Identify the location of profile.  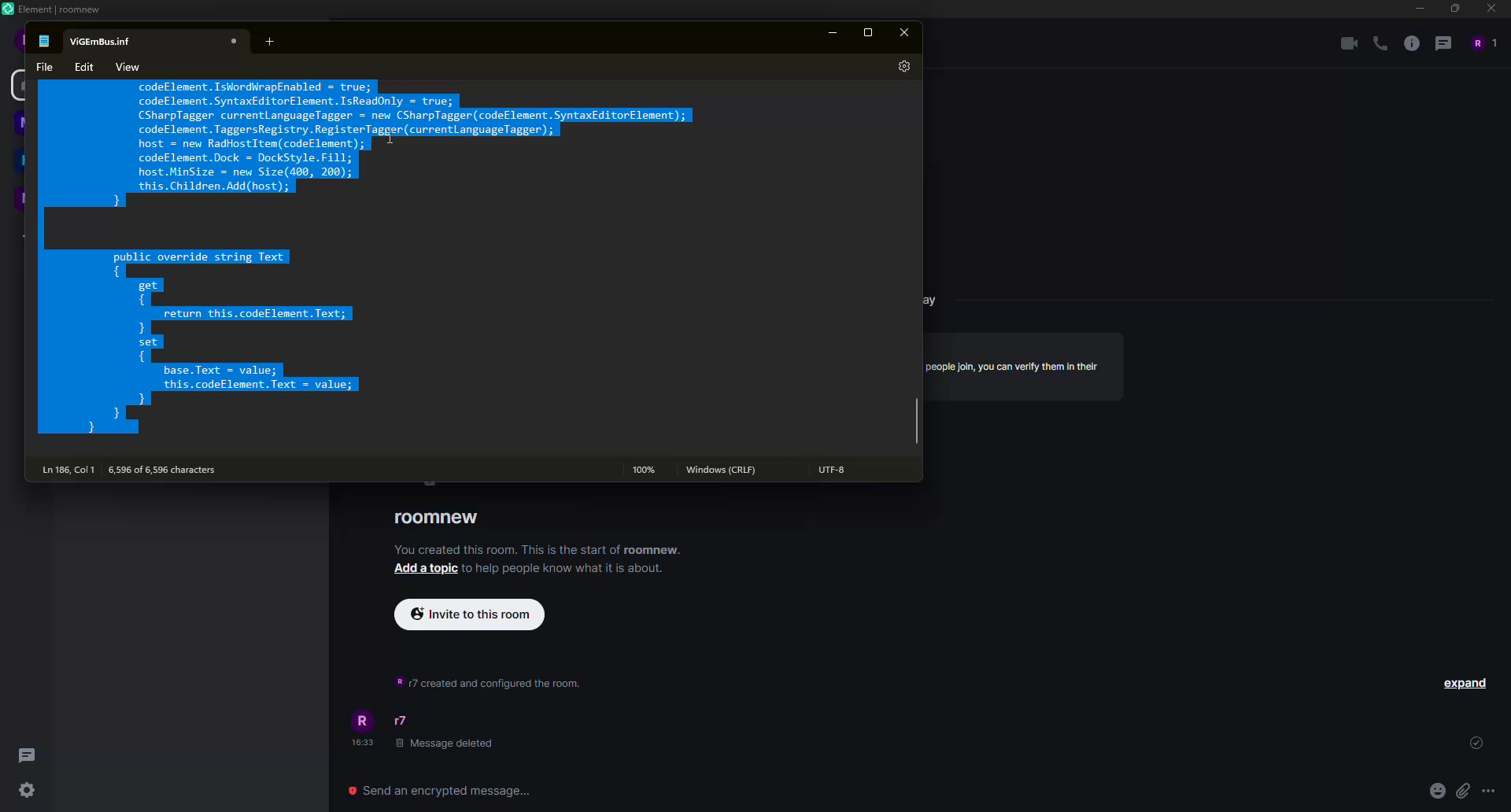
(365, 720).